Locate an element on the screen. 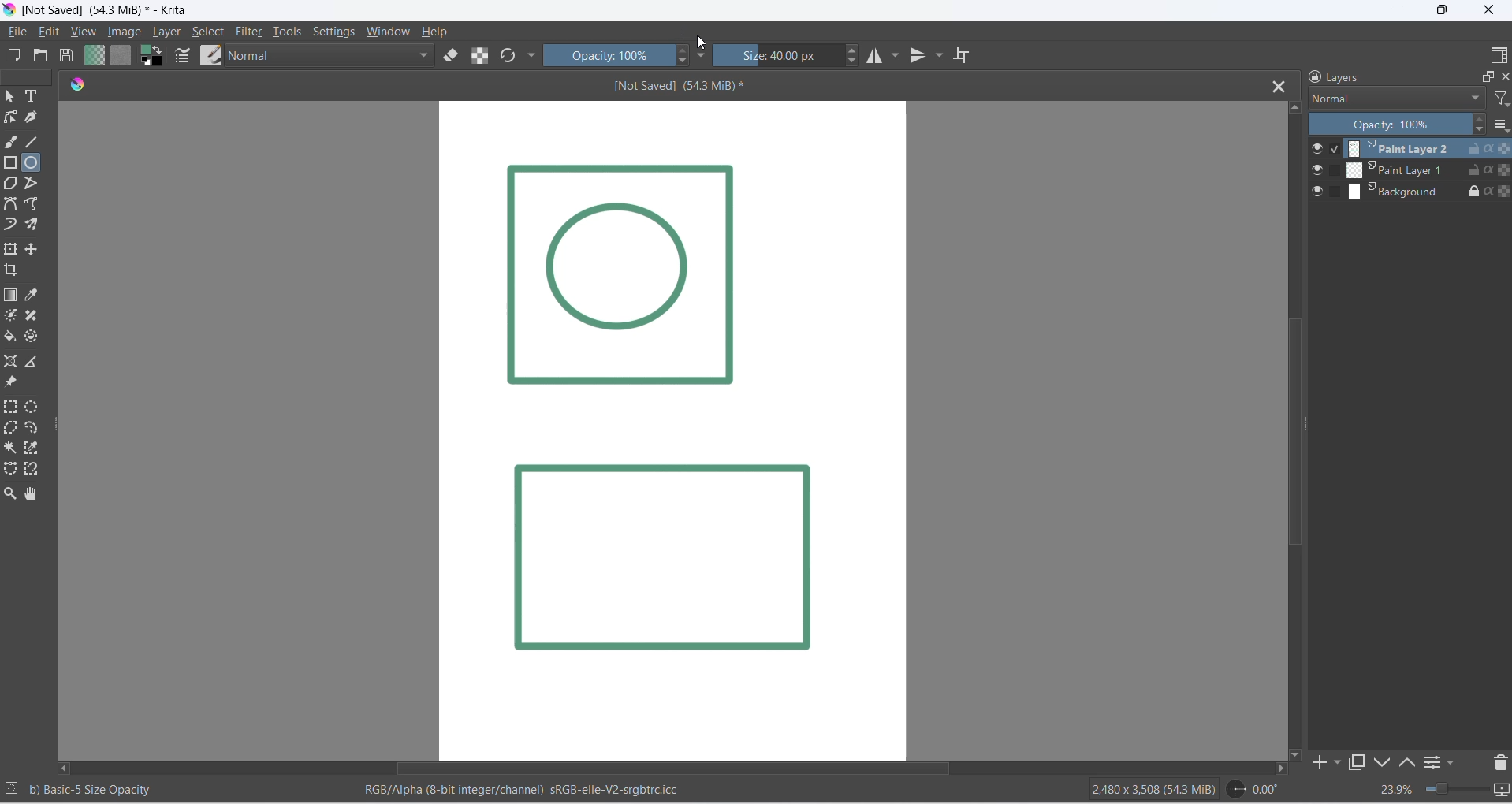 This screenshot has height=804, width=1512. 2480 x 3508 (48.1 Mib) is located at coordinates (1141, 791).